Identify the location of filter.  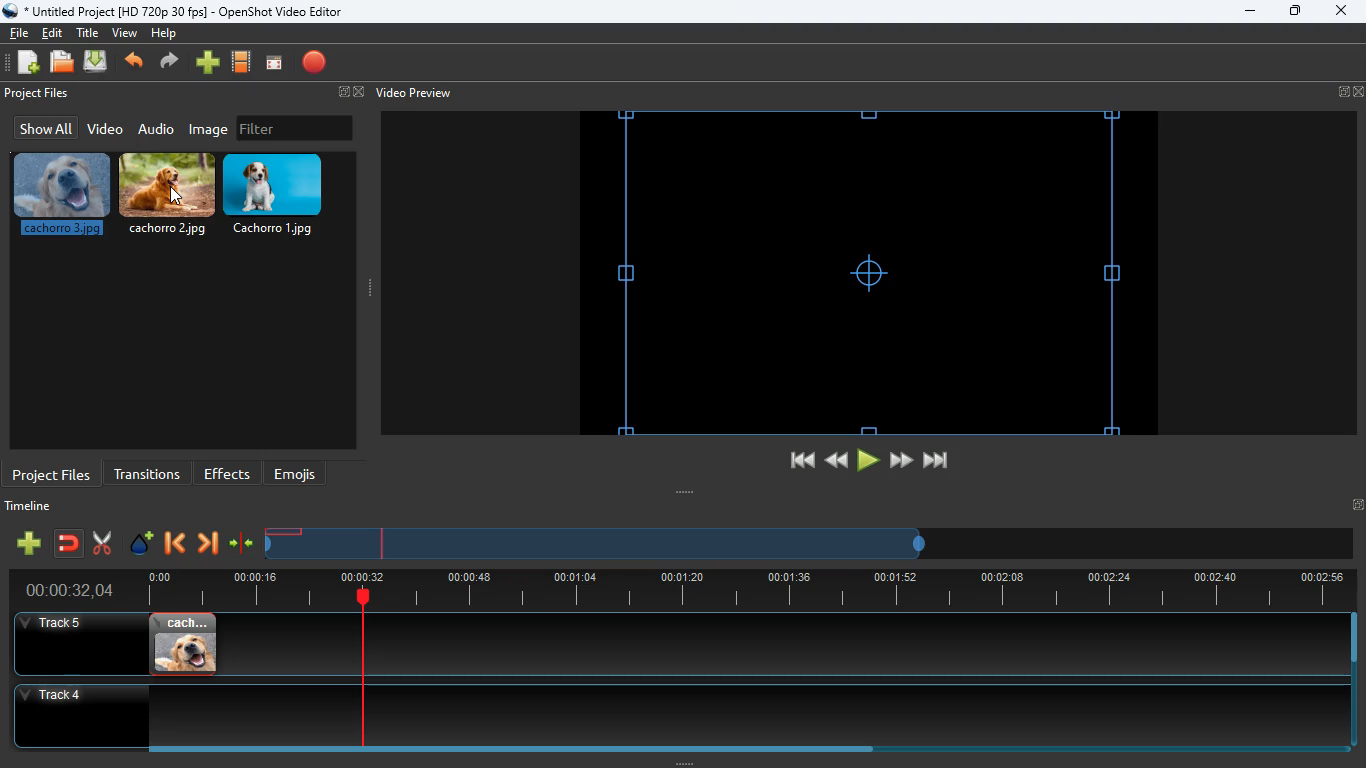
(295, 128).